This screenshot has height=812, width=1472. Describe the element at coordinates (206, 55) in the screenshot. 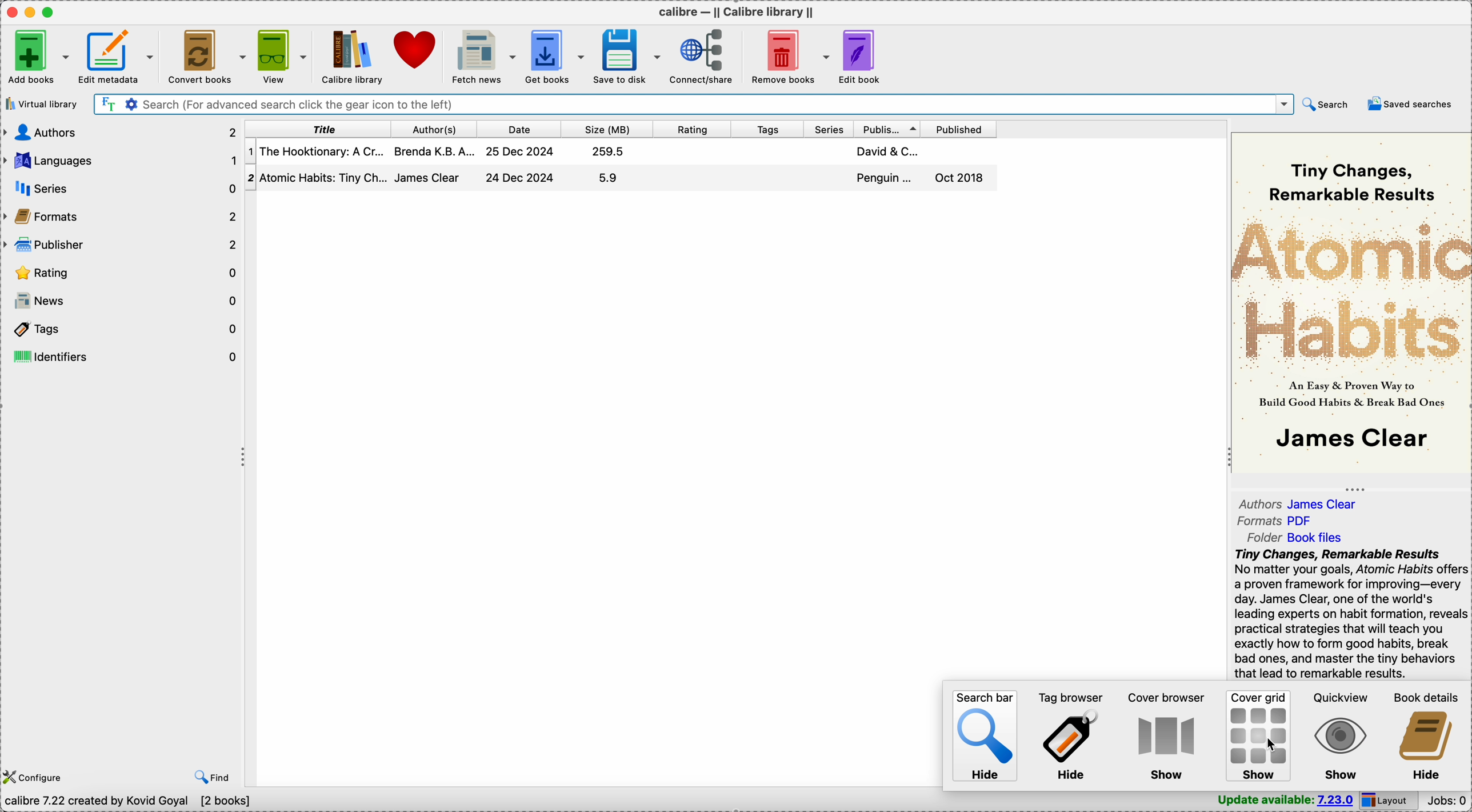

I see `cover books` at that location.